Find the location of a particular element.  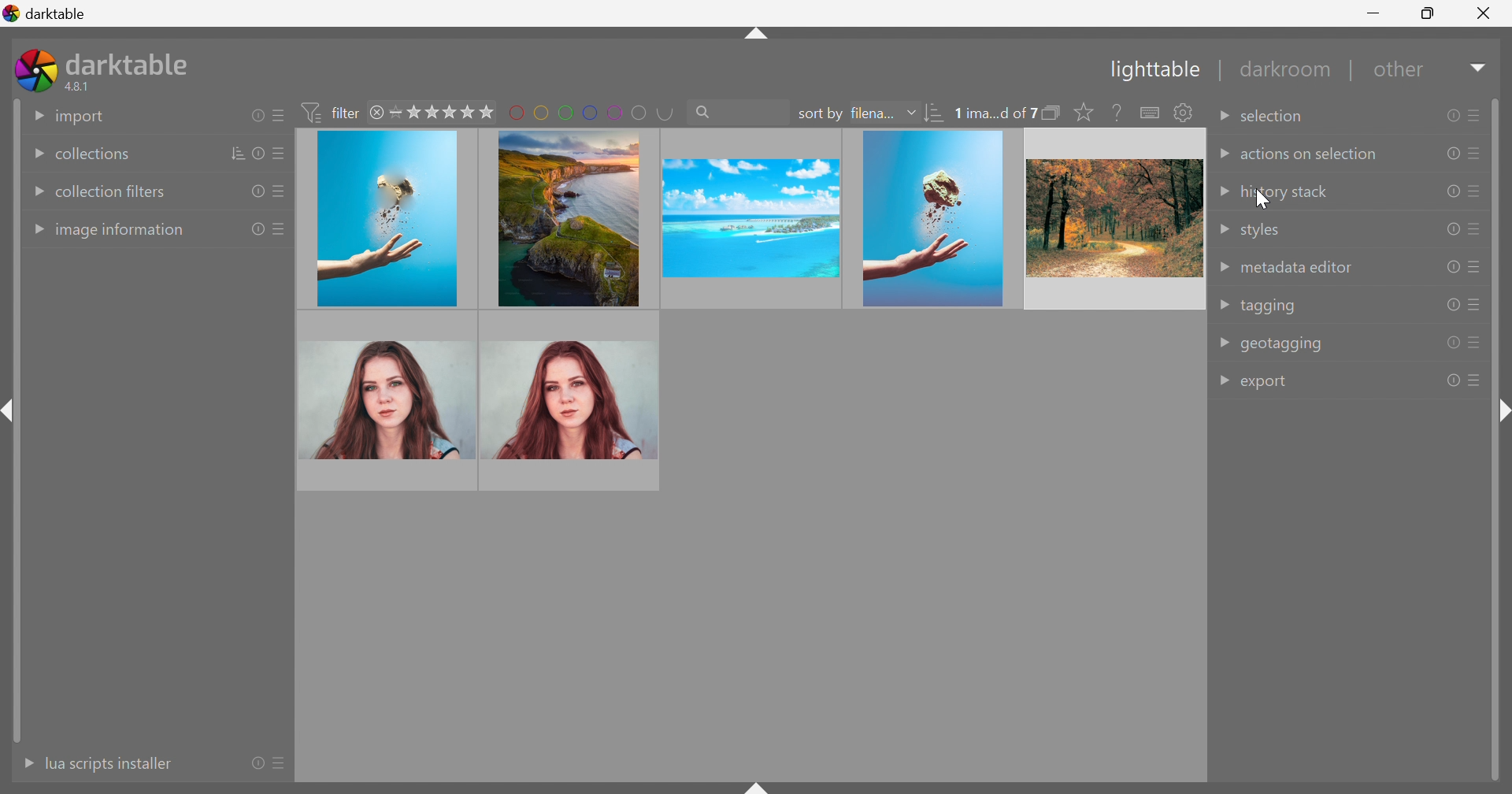

reset is located at coordinates (256, 115).